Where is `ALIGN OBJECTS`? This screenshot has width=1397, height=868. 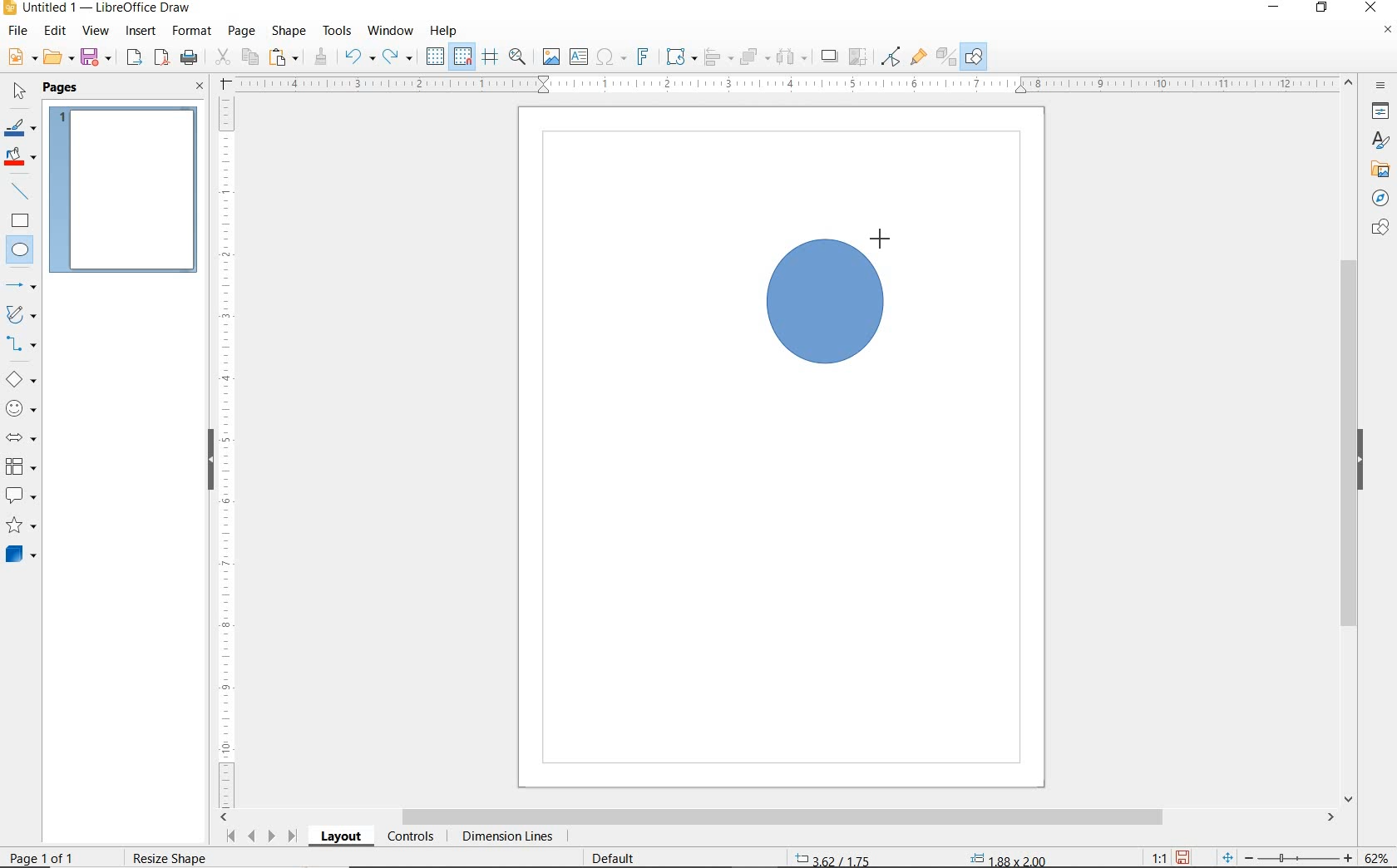
ALIGN OBJECTS is located at coordinates (717, 59).